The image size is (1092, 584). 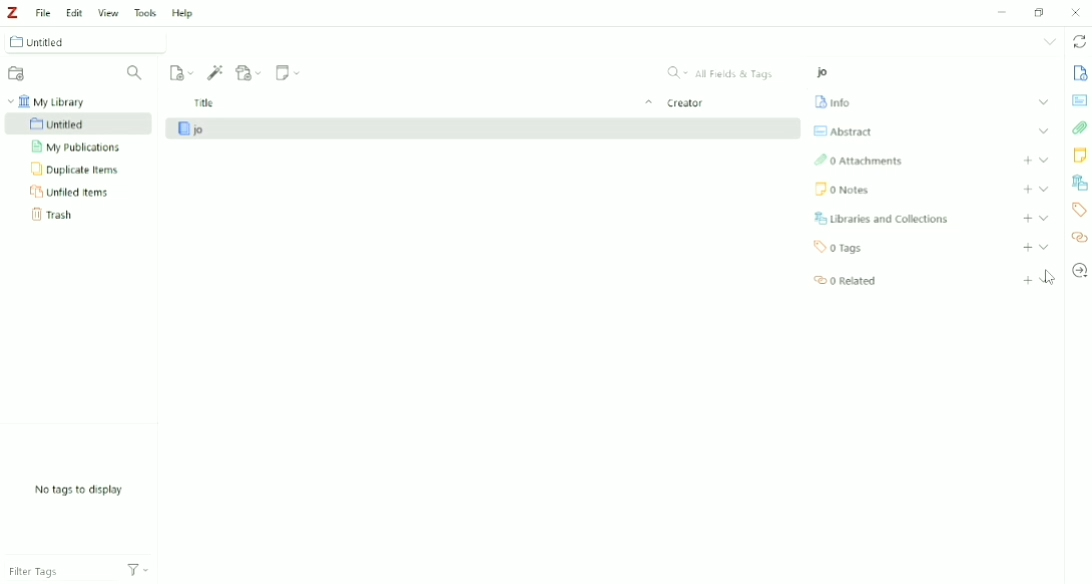 What do you see at coordinates (834, 102) in the screenshot?
I see `Info` at bounding box center [834, 102].